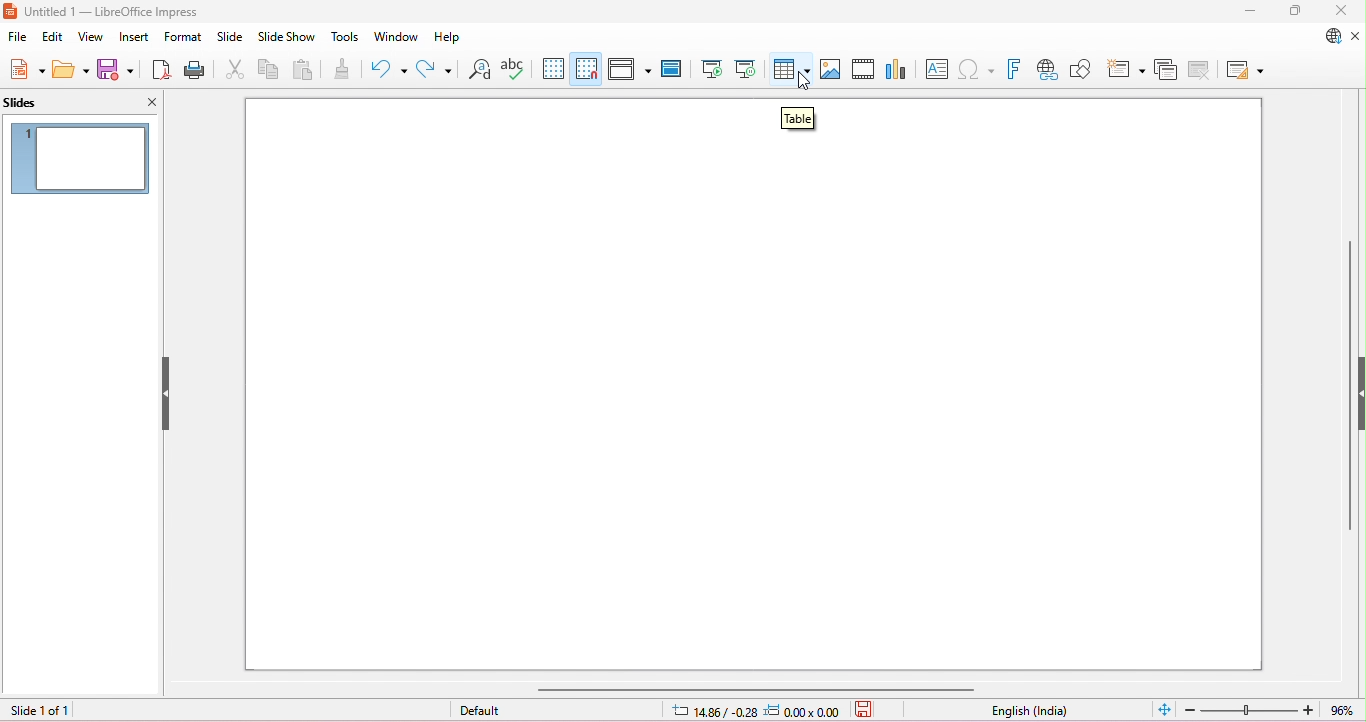 The height and width of the screenshot is (722, 1366). What do you see at coordinates (978, 68) in the screenshot?
I see `insert special characters` at bounding box center [978, 68].